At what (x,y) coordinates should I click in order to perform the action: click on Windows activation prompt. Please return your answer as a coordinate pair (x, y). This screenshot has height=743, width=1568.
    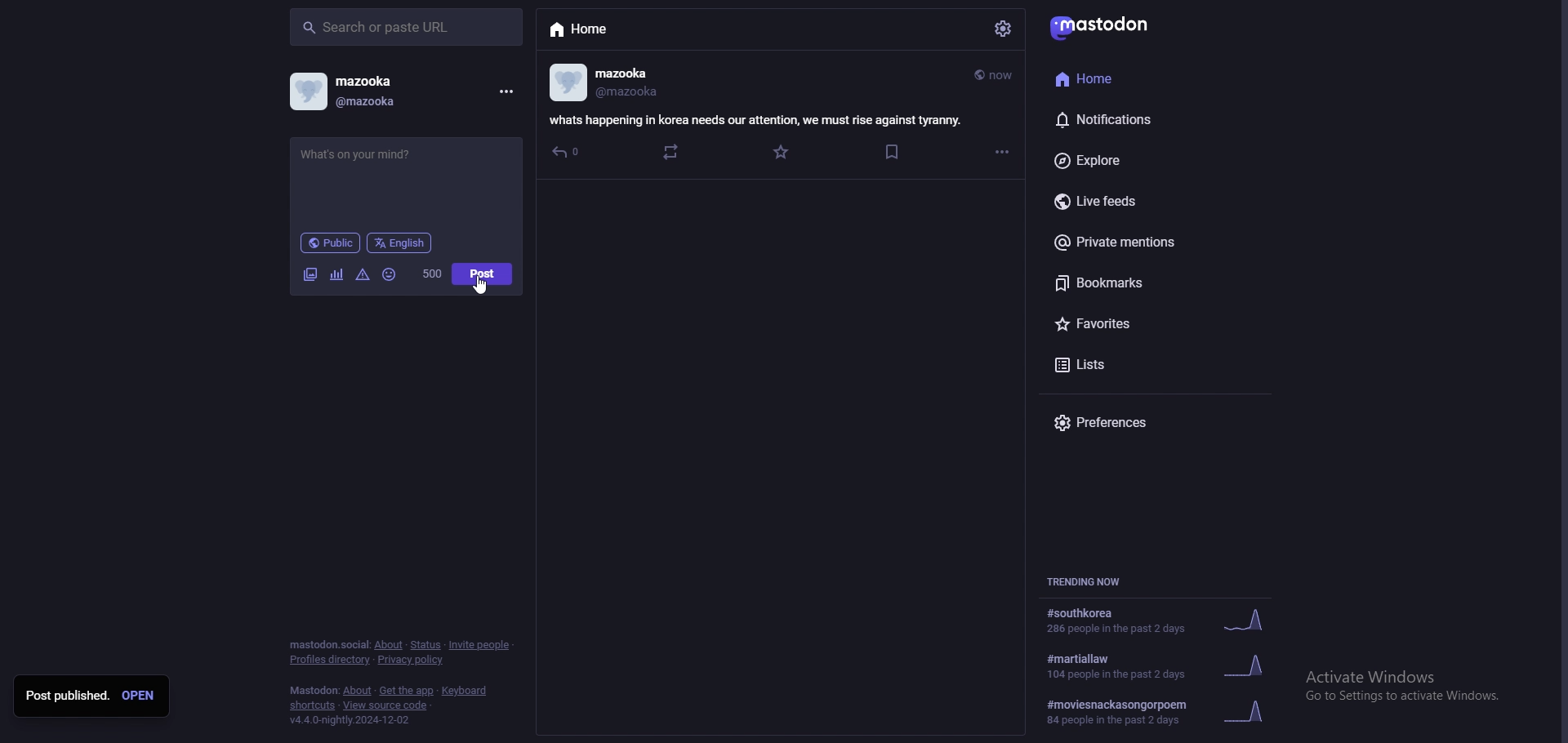
    Looking at the image, I should click on (1403, 683).